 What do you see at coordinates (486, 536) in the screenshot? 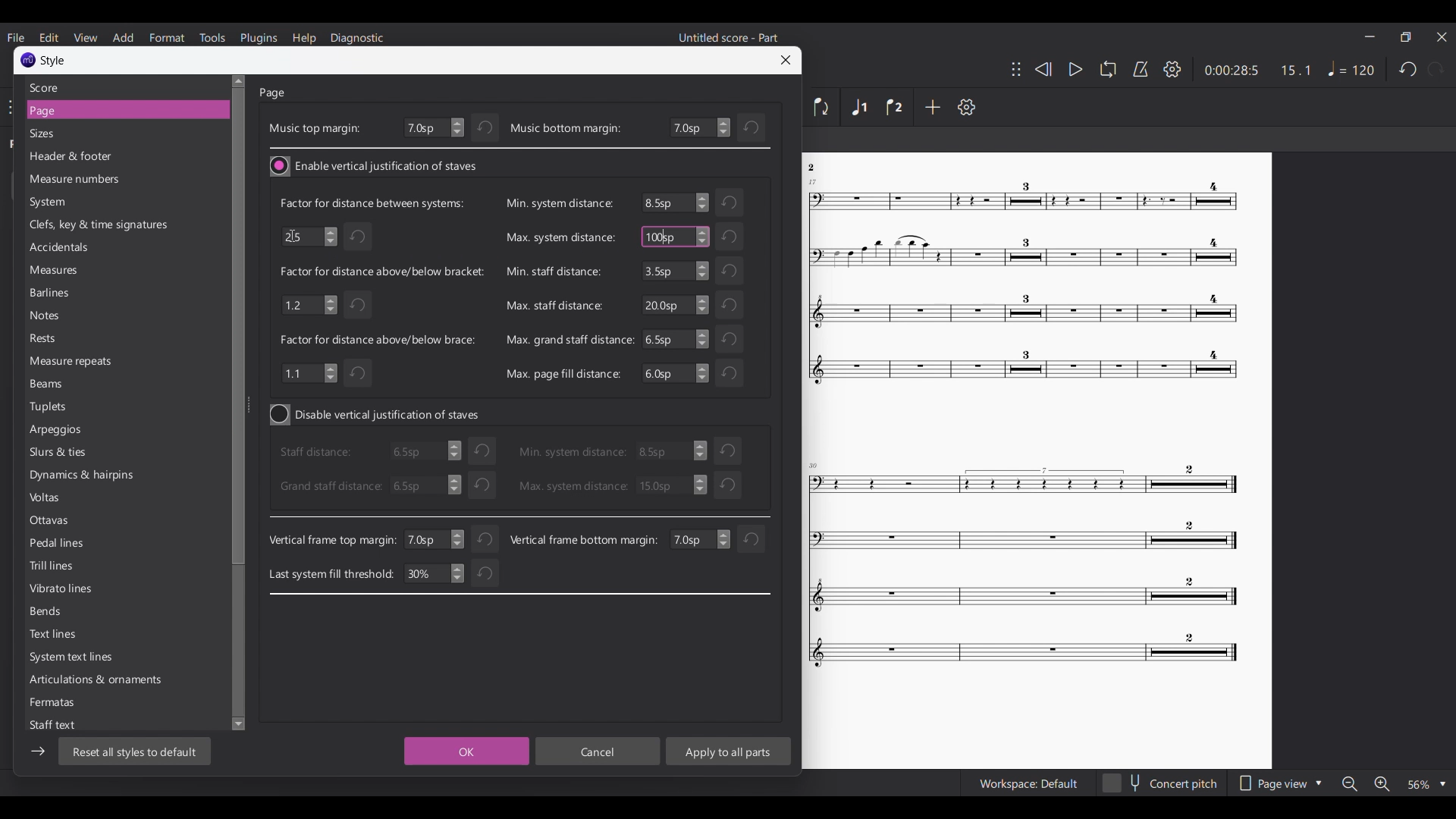
I see `Undo` at bounding box center [486, 536].